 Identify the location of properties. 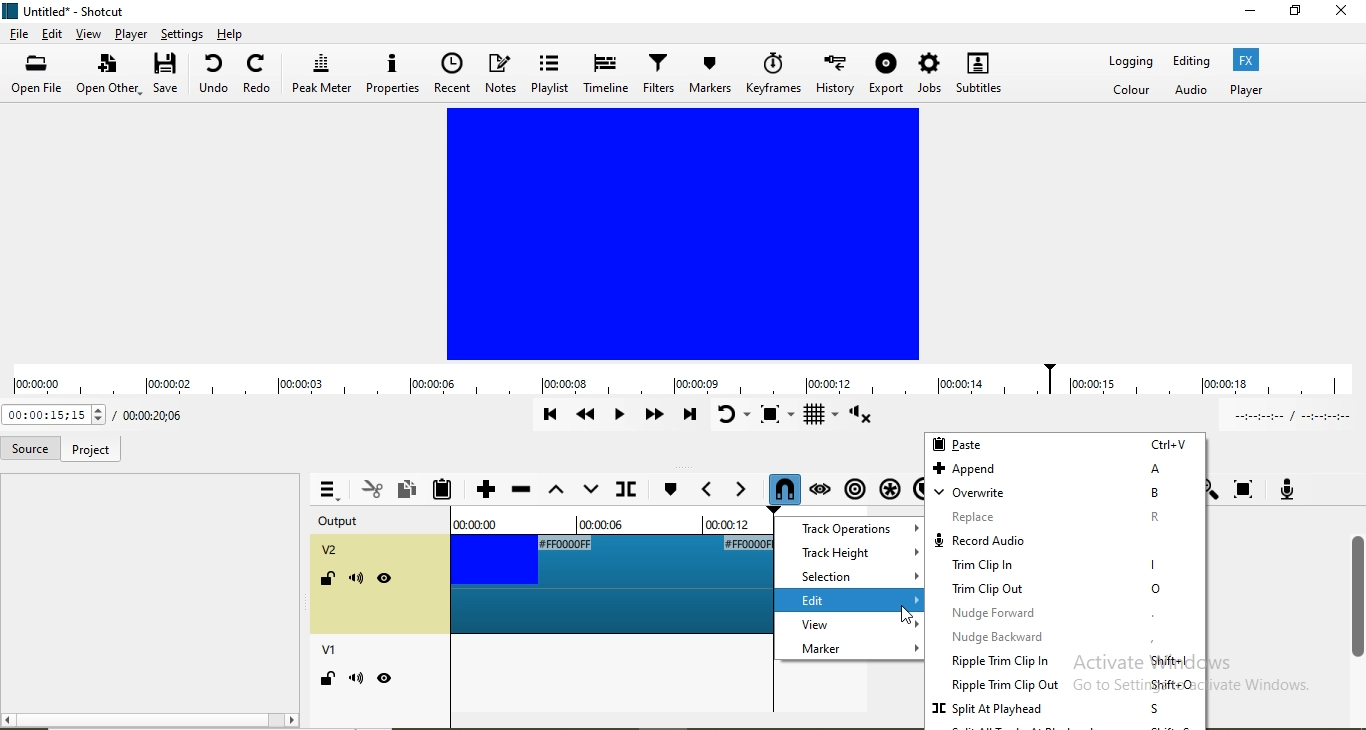
(392, 74).